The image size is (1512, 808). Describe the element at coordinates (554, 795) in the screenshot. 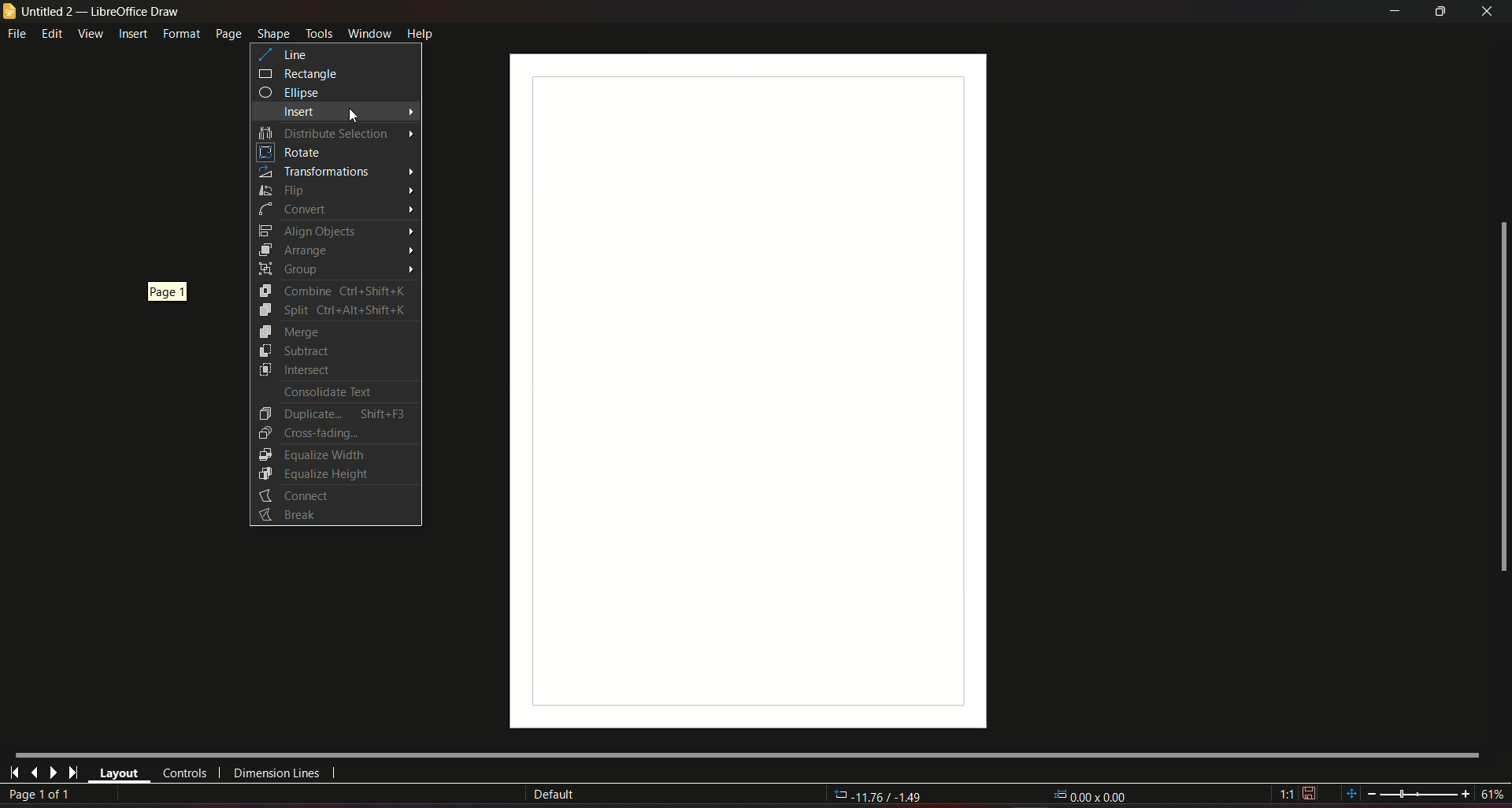

I see `Default` at that location.